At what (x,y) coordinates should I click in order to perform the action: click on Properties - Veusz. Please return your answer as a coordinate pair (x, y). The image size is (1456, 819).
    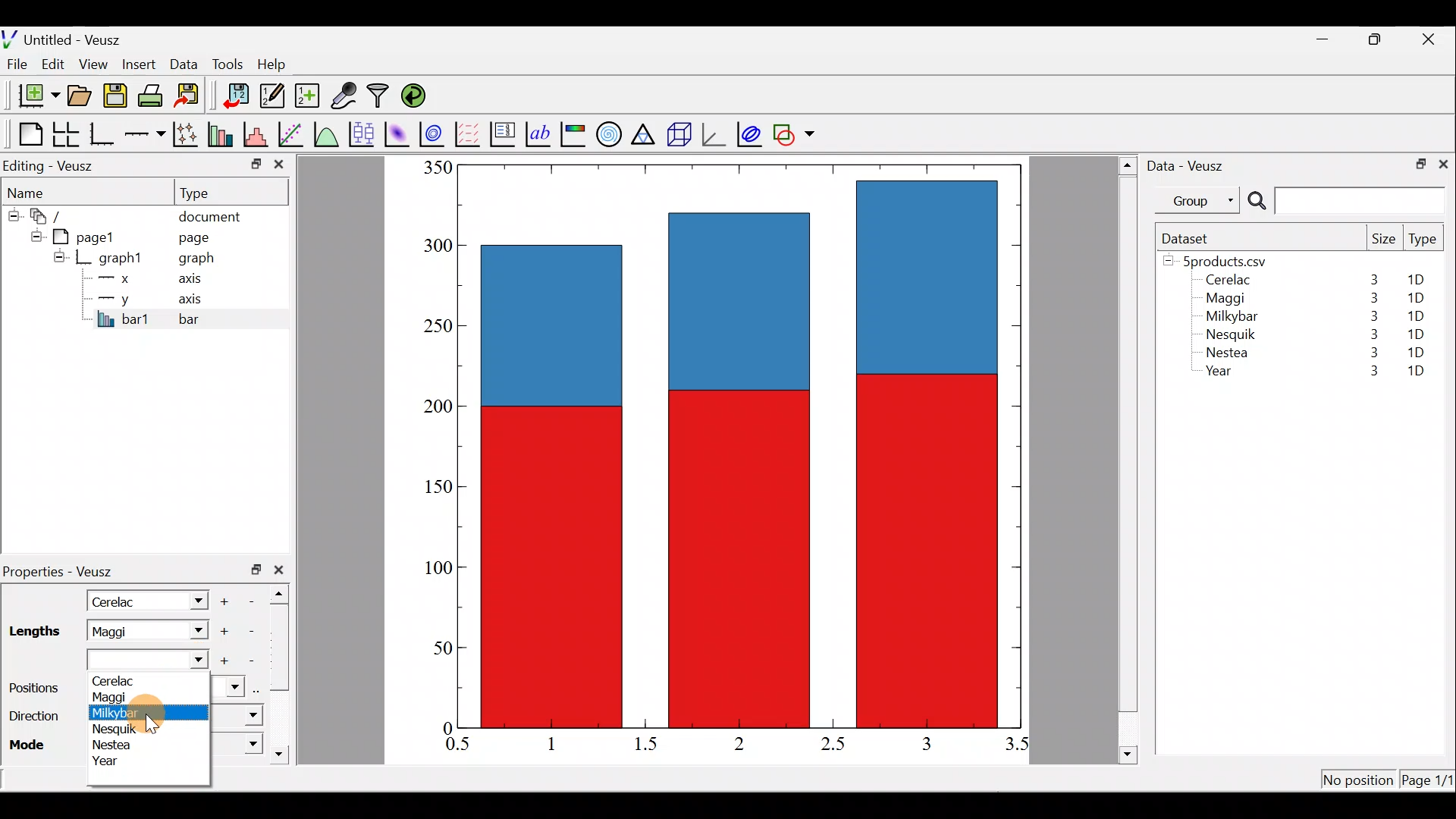
    Looking at the image, I should click on (64, 572).